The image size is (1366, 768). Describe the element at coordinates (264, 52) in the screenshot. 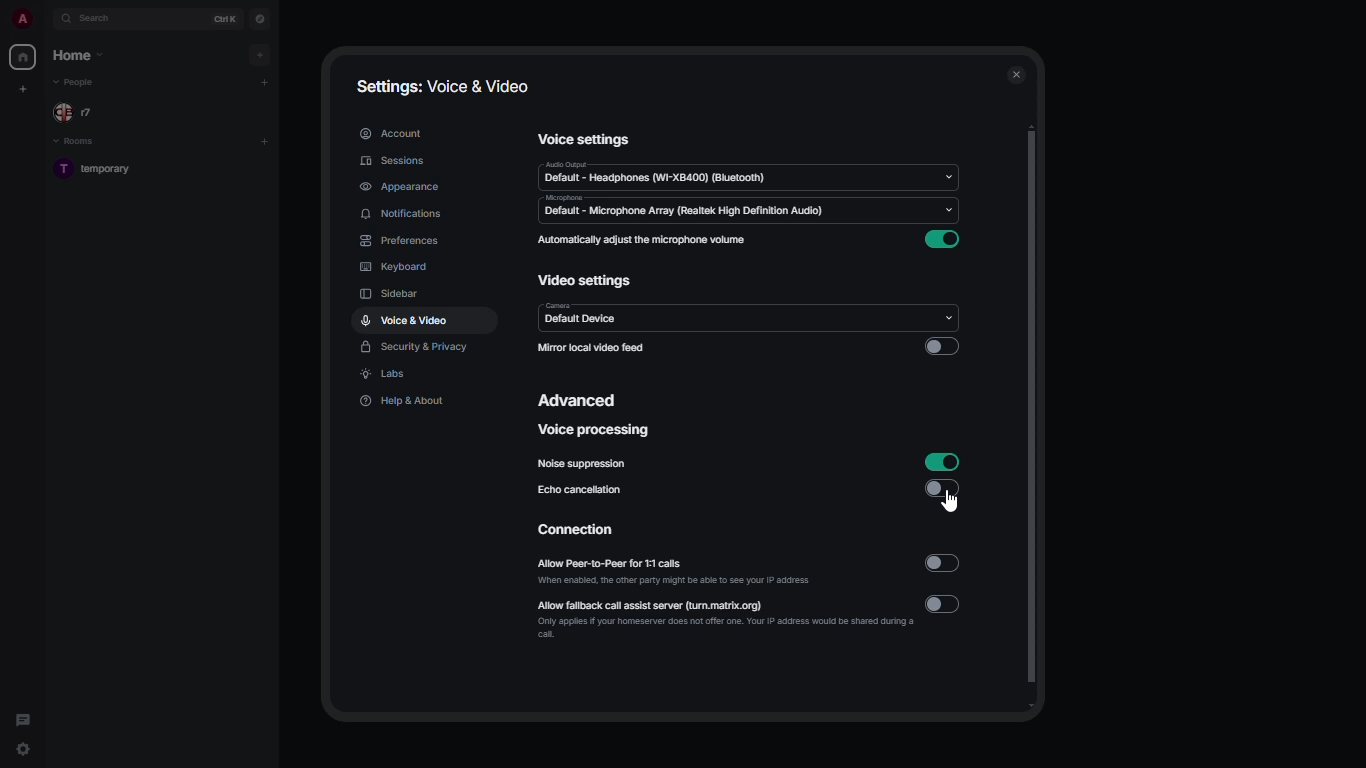

I see `add` at that location.